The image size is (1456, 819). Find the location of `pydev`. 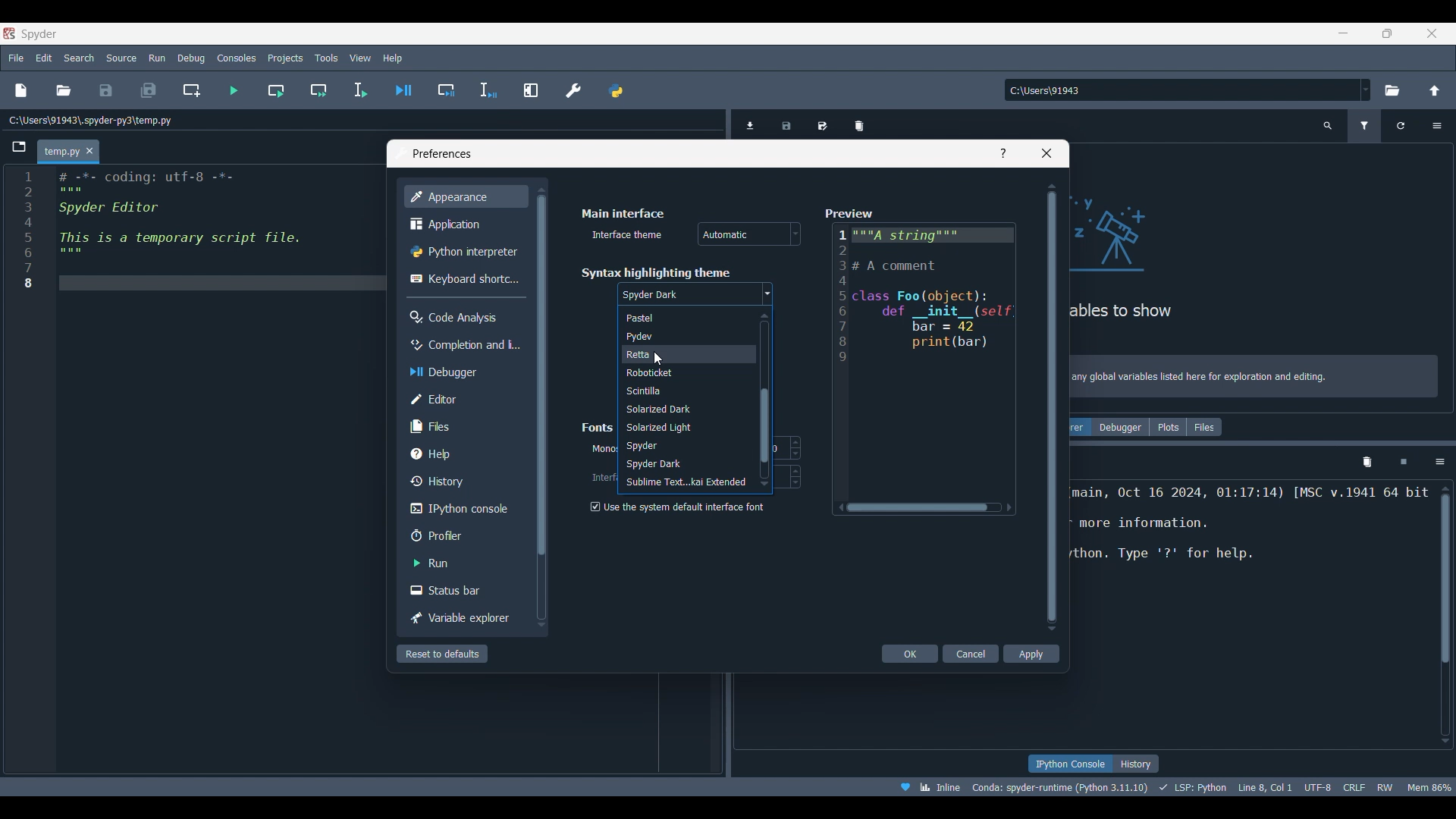

pydev is located at coordinates (679, 338).